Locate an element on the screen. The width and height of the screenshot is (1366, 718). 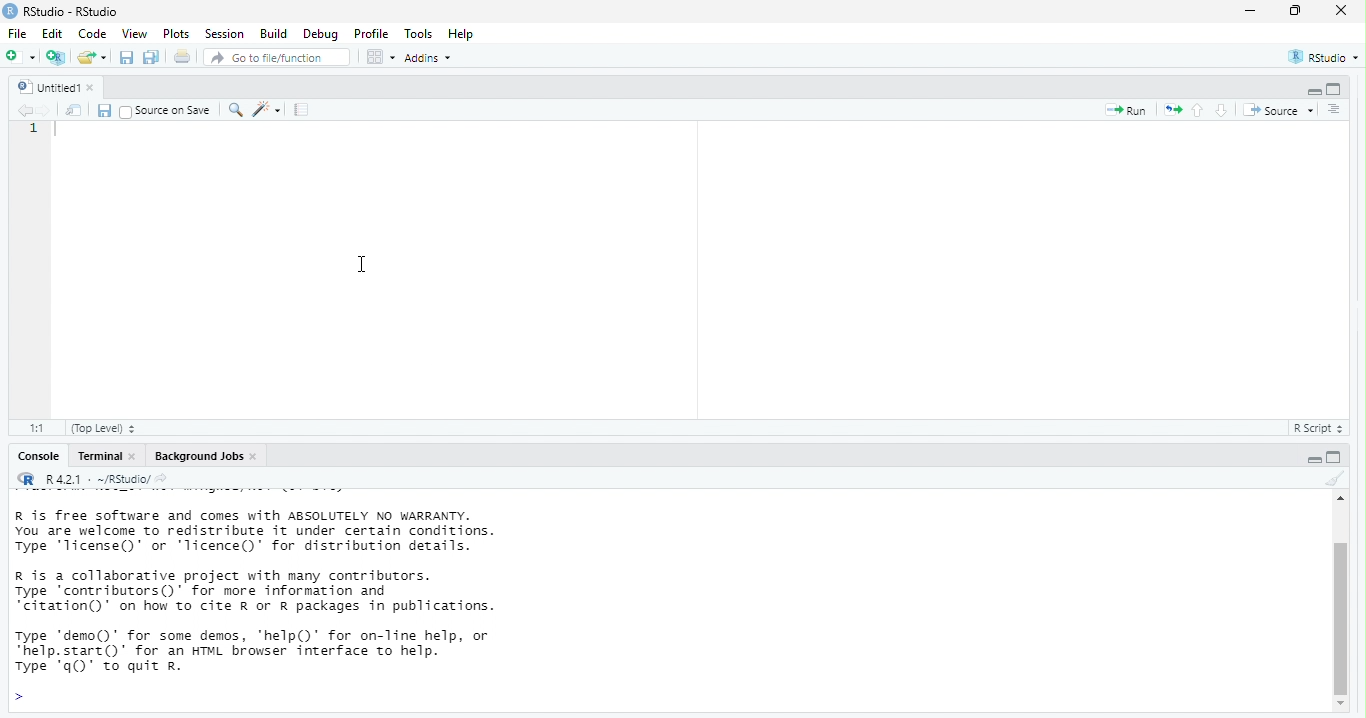
open an existing file is located at coordinates (93, 56).